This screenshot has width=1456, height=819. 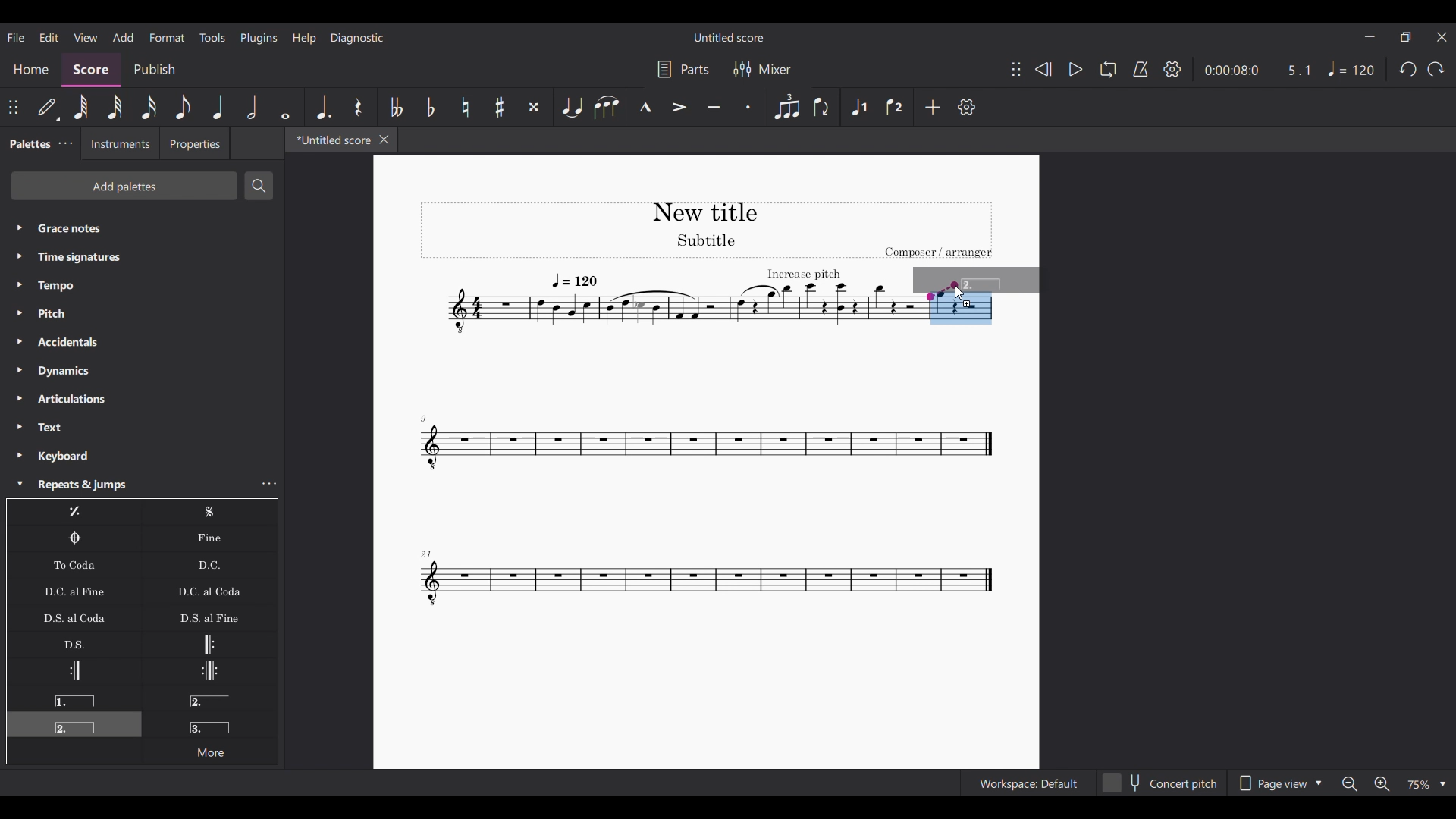 What do you see at coordinates (1436, 69) in the screenshot?
I see `Redo` at bounding box center [1436, 69].